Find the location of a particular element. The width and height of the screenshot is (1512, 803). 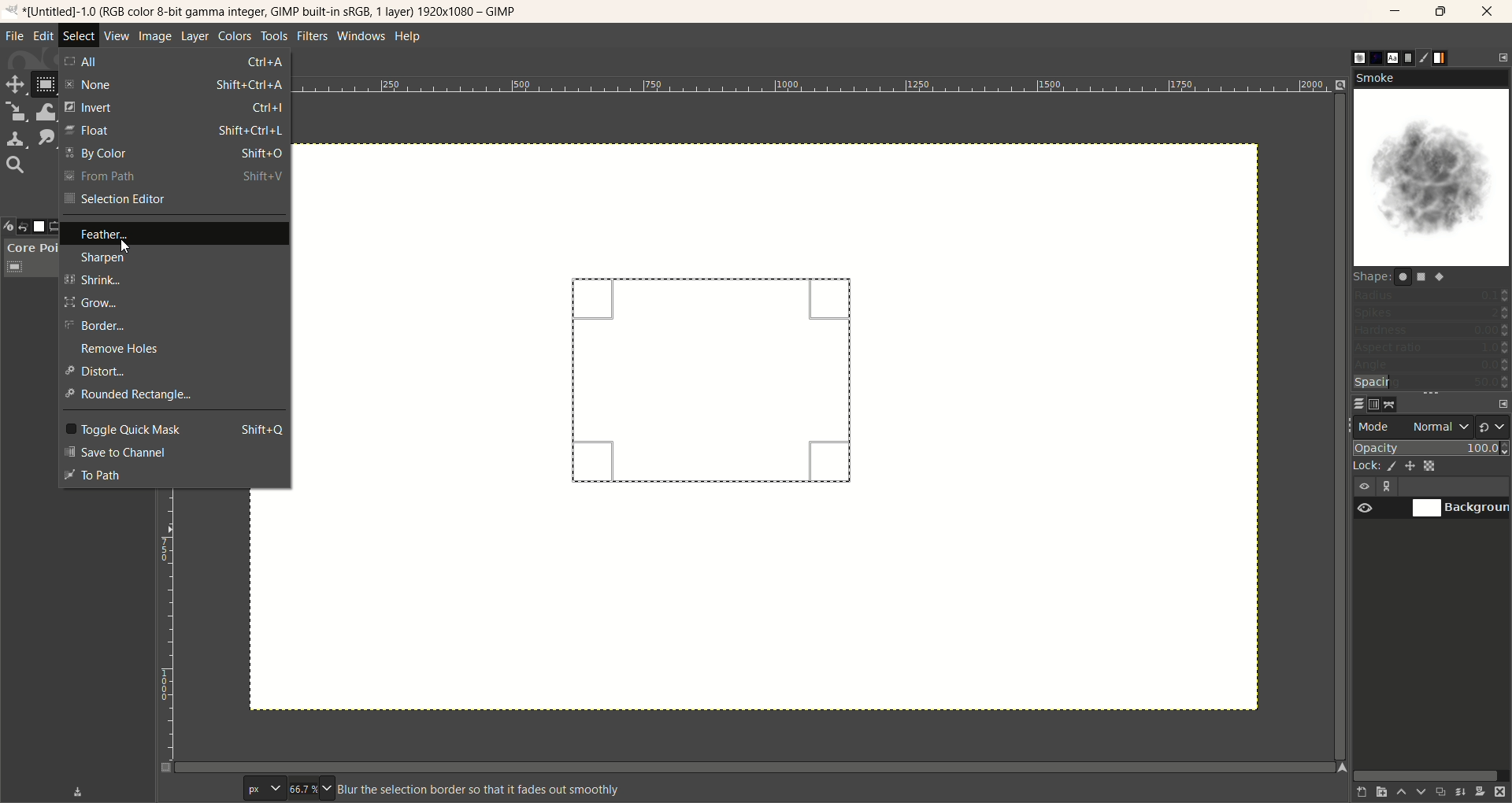

clone tool is located at coordinates (17, 140).